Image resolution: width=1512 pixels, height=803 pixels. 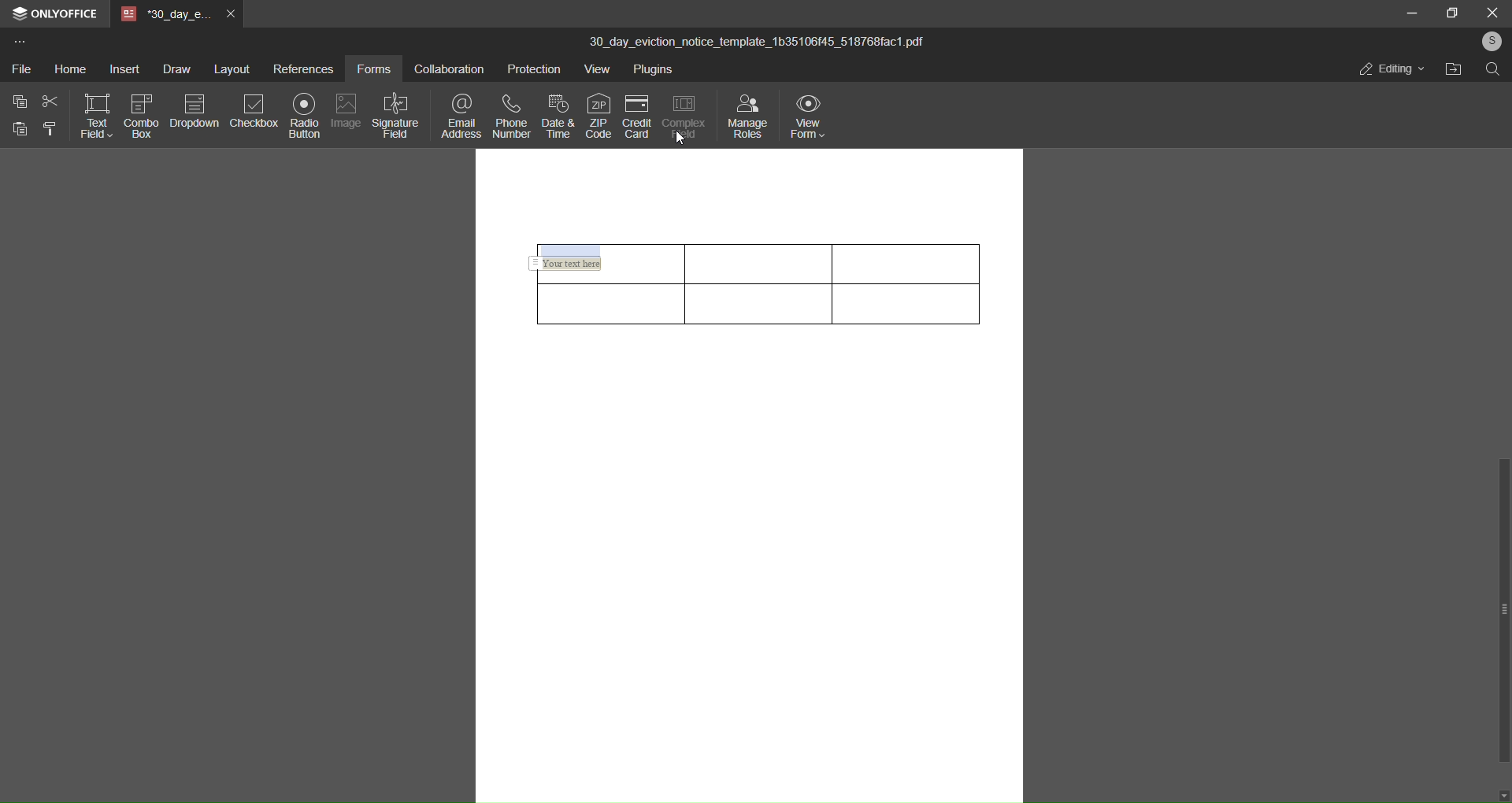 What do you see at coordinates (19, 43) in the screenshot?
I see `more` at bounding box center [19, 43].